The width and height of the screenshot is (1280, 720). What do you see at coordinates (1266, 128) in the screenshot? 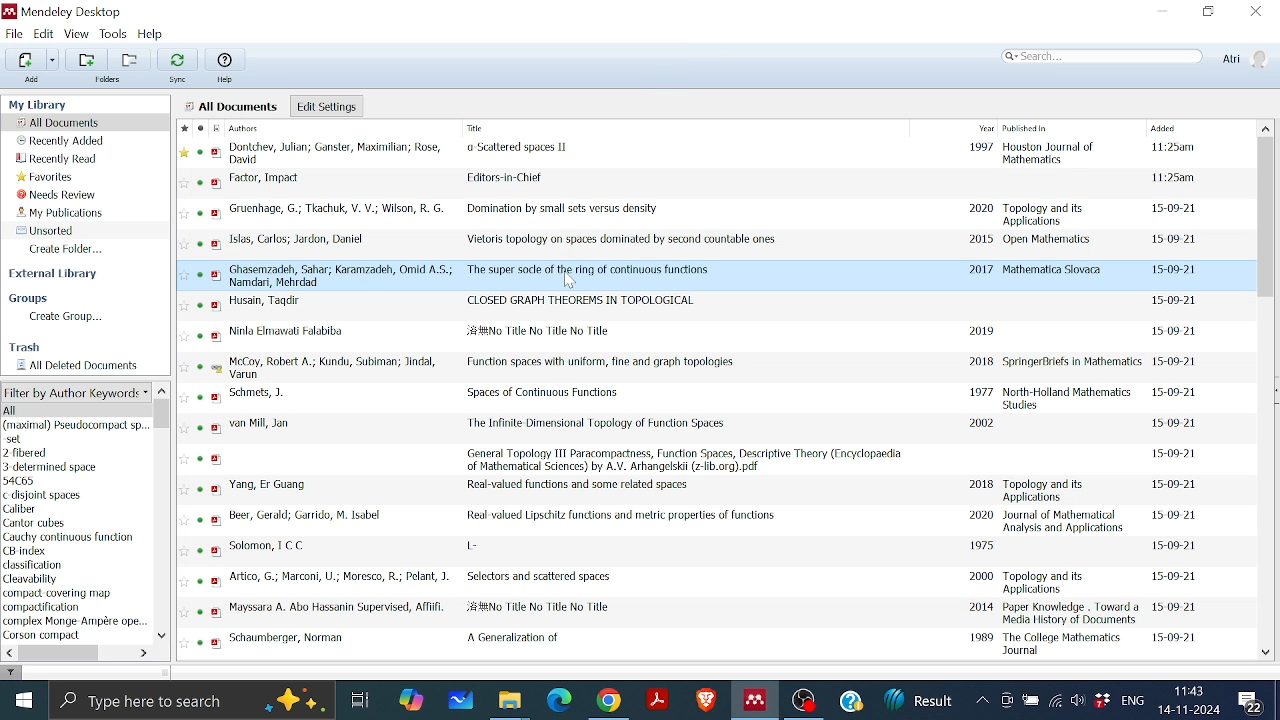
I see `Move up in All files` at bounding box center [1266, 128].